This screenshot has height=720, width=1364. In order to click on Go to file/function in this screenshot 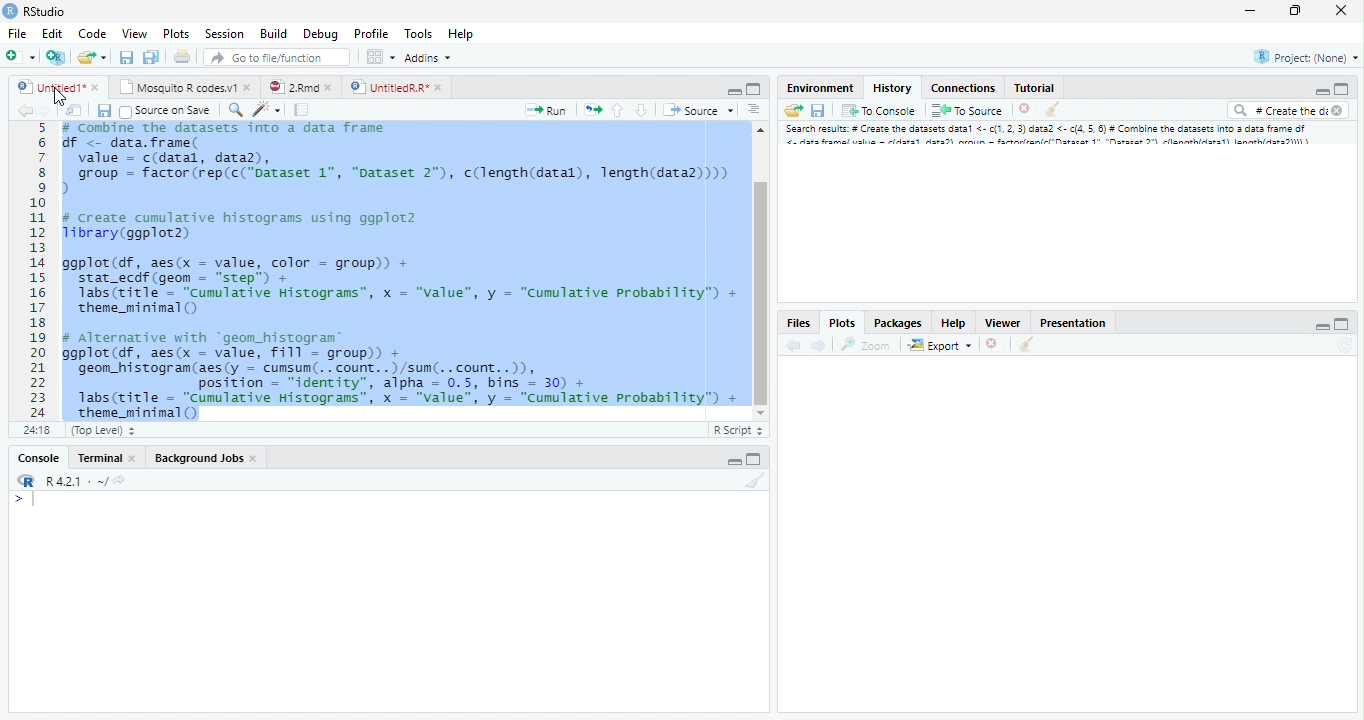, I will do `click(275, 58)`.